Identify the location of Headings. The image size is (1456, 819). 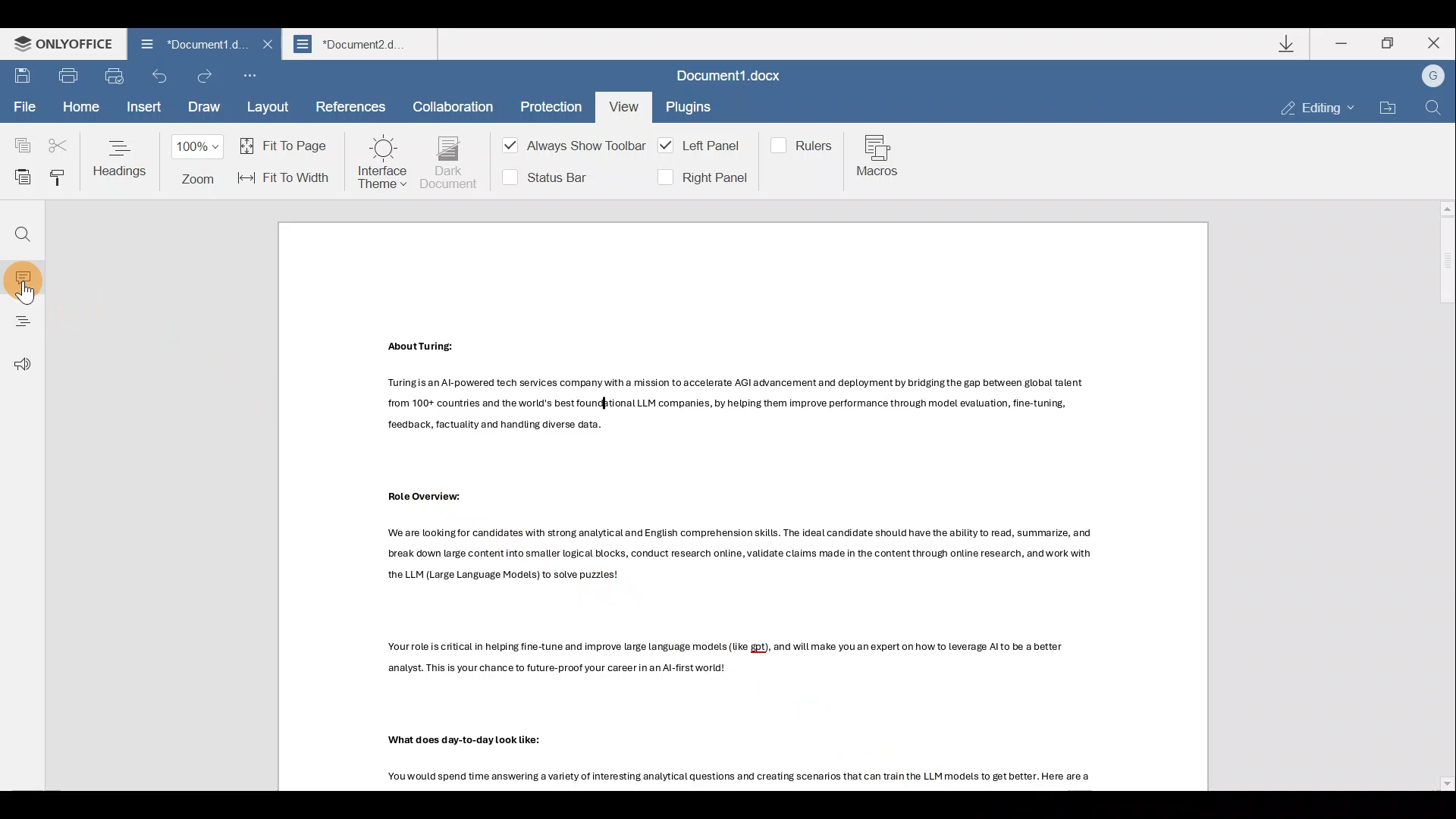
(121, 158).